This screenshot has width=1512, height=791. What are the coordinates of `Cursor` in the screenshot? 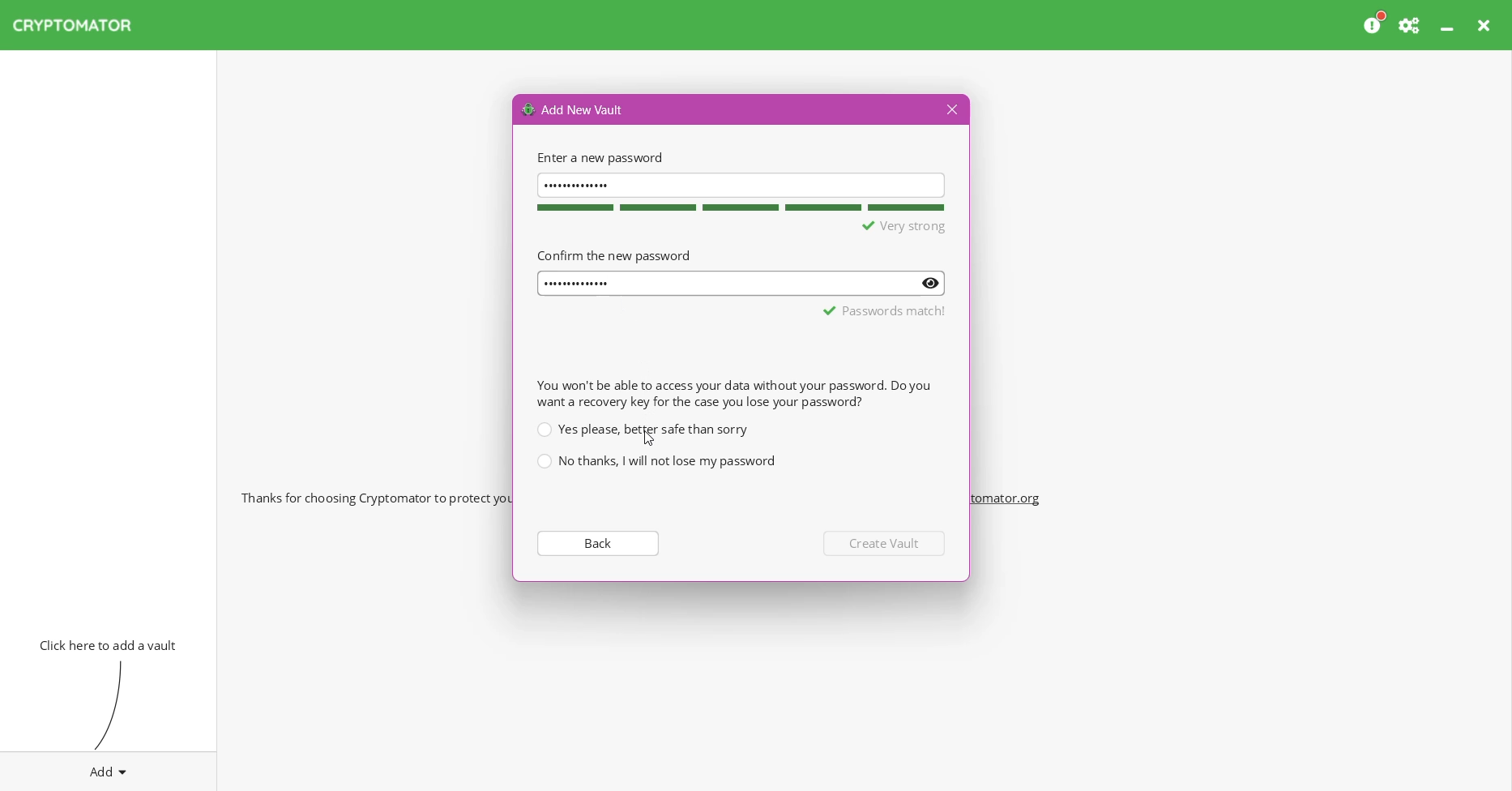 It's located at (649, 438).